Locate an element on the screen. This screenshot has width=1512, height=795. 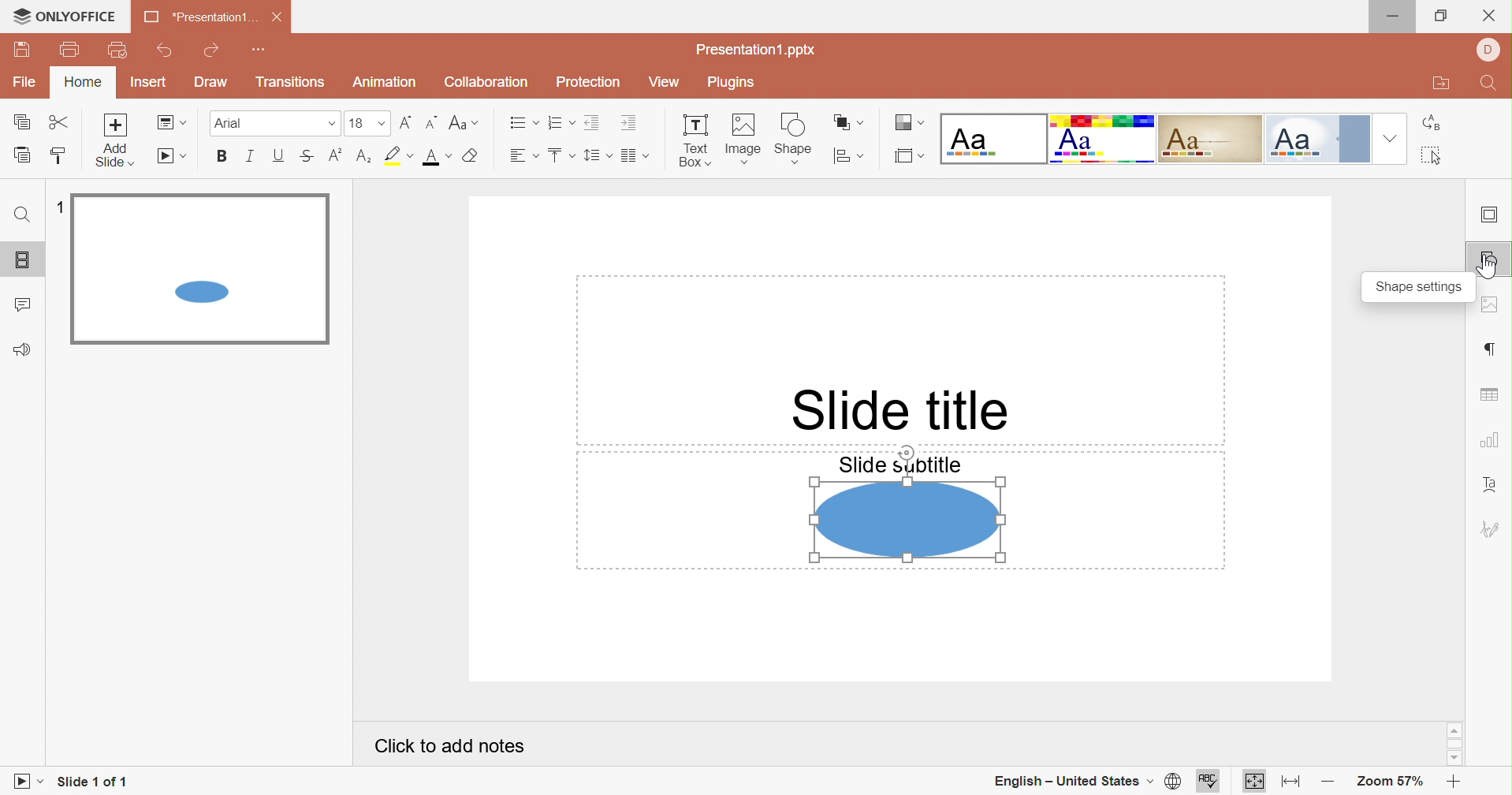
Replace is located at coordinates (1431, 124).